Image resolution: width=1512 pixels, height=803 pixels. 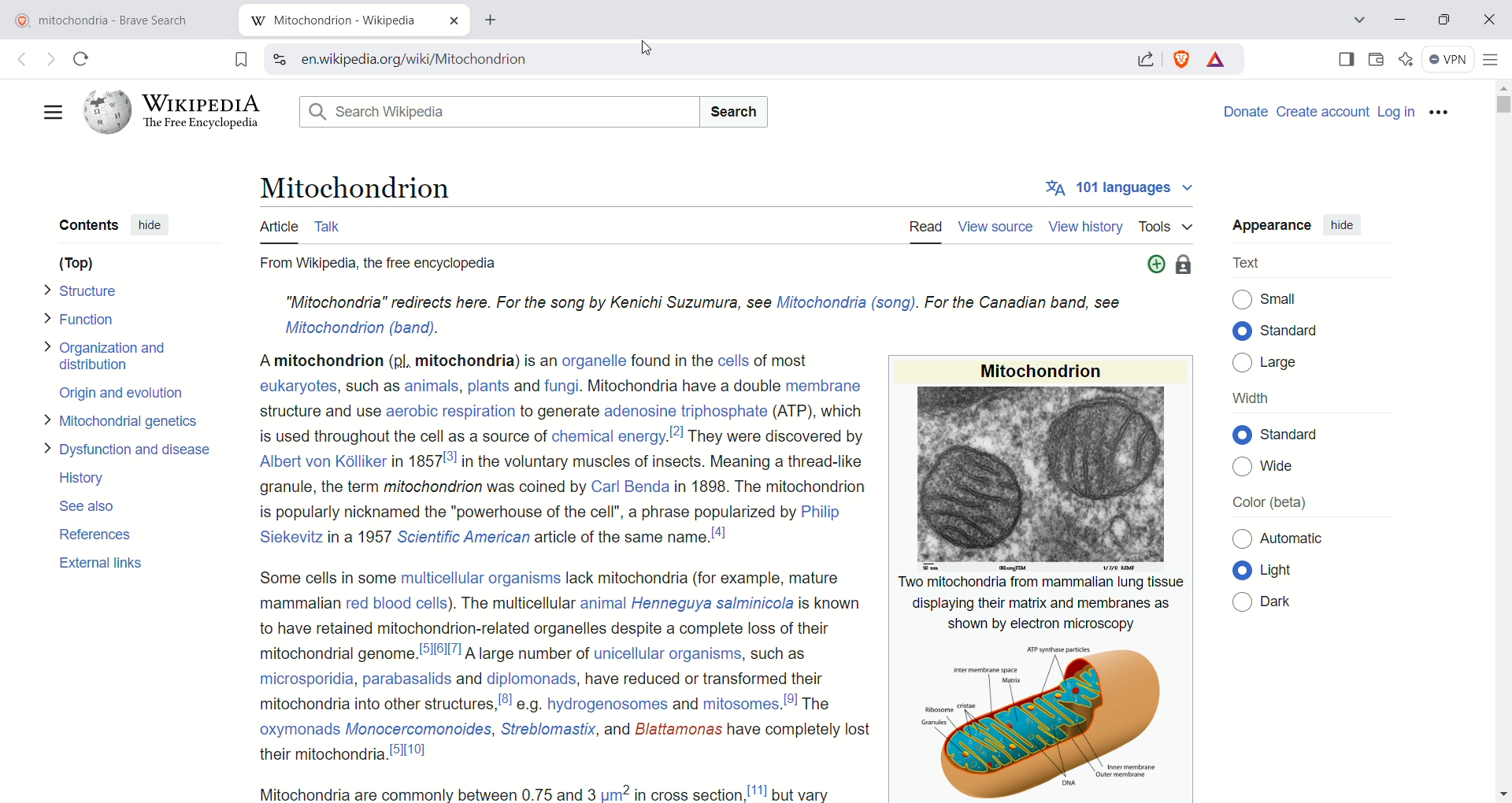 What do you see at coordinates (1273, 223) in the screenshot?
I see `Appearance` at bounding box center [1273, 223].